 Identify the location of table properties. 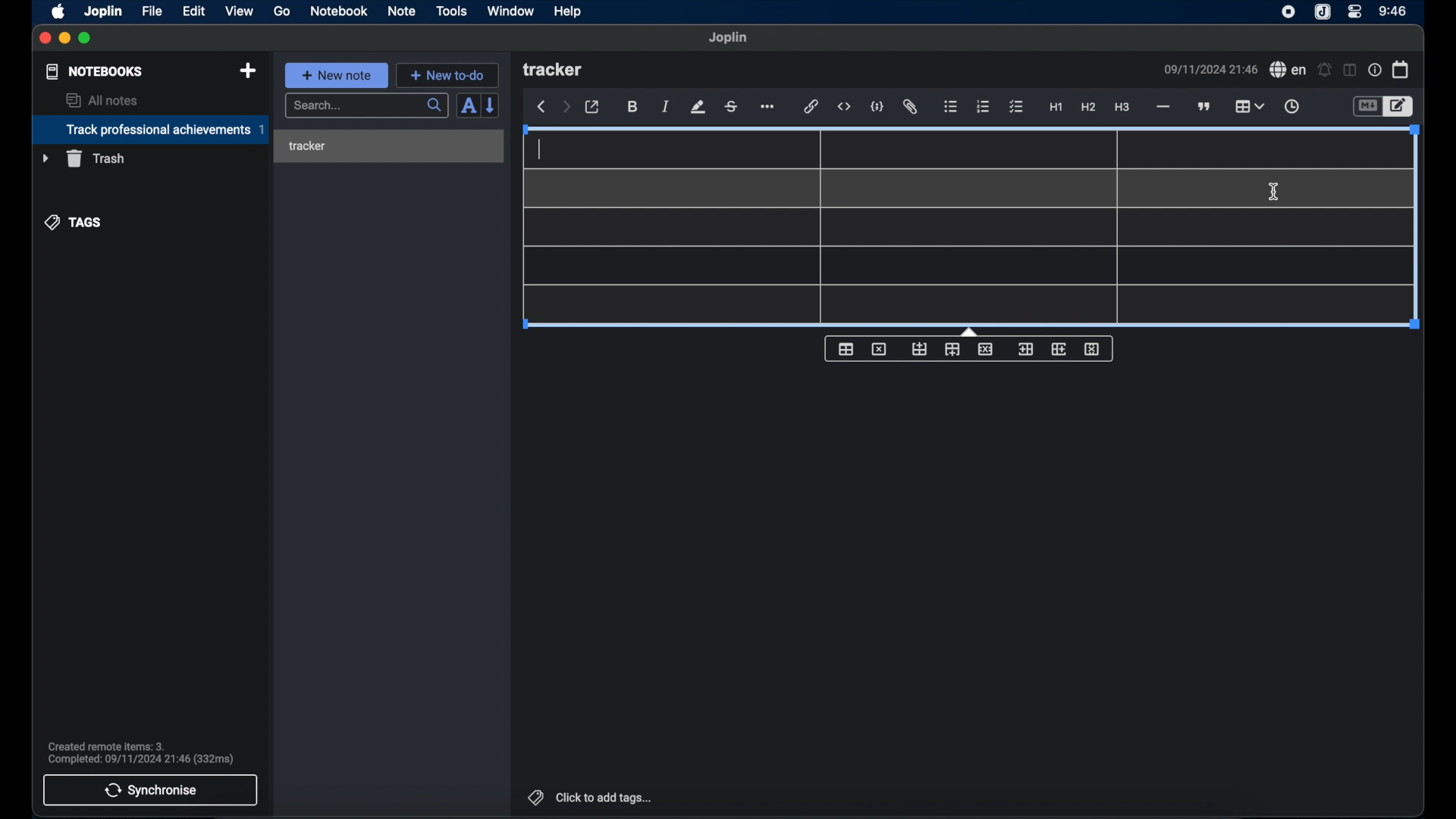
(846, 350).